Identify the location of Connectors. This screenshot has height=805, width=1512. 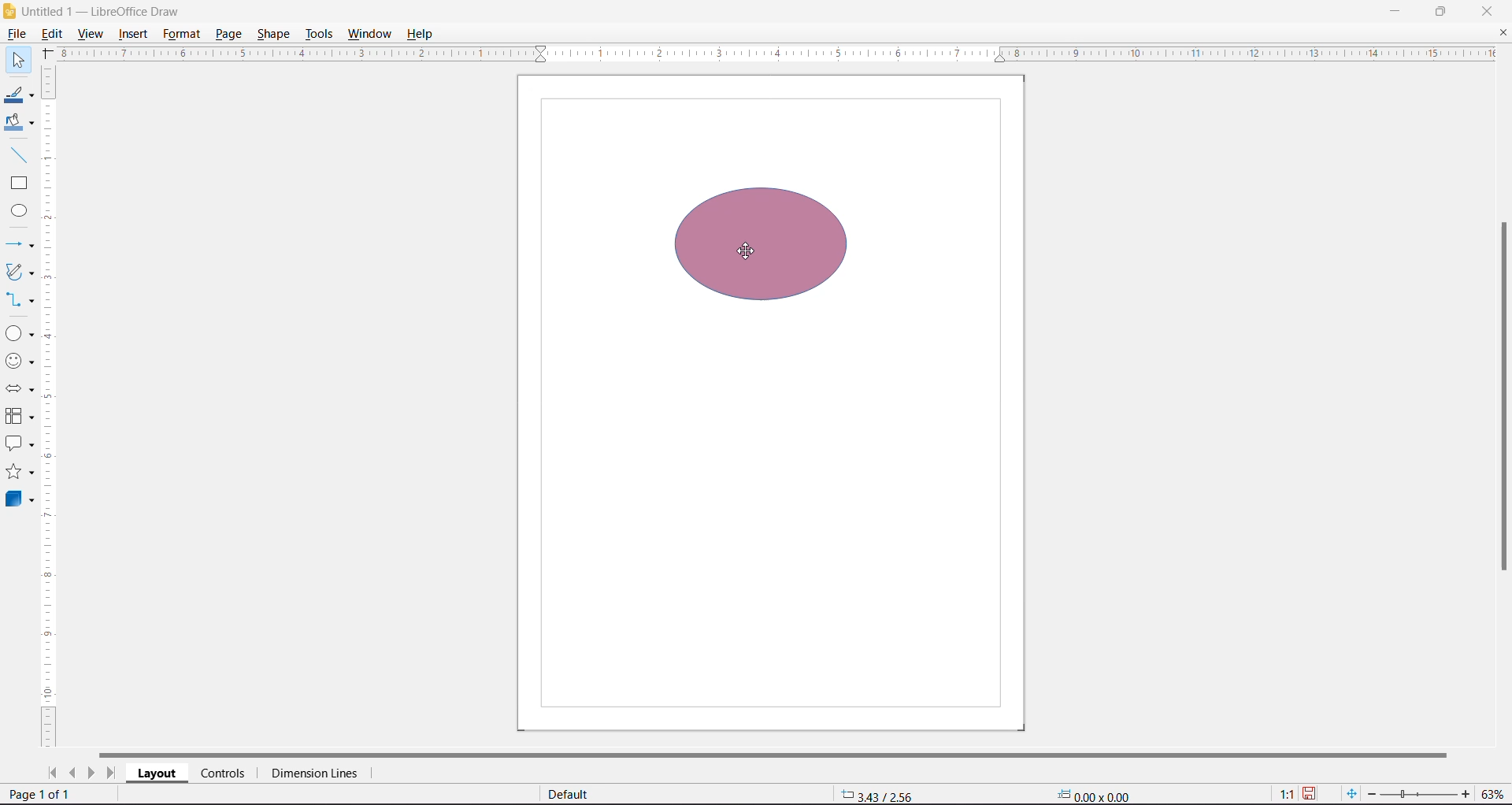
(20, 299).